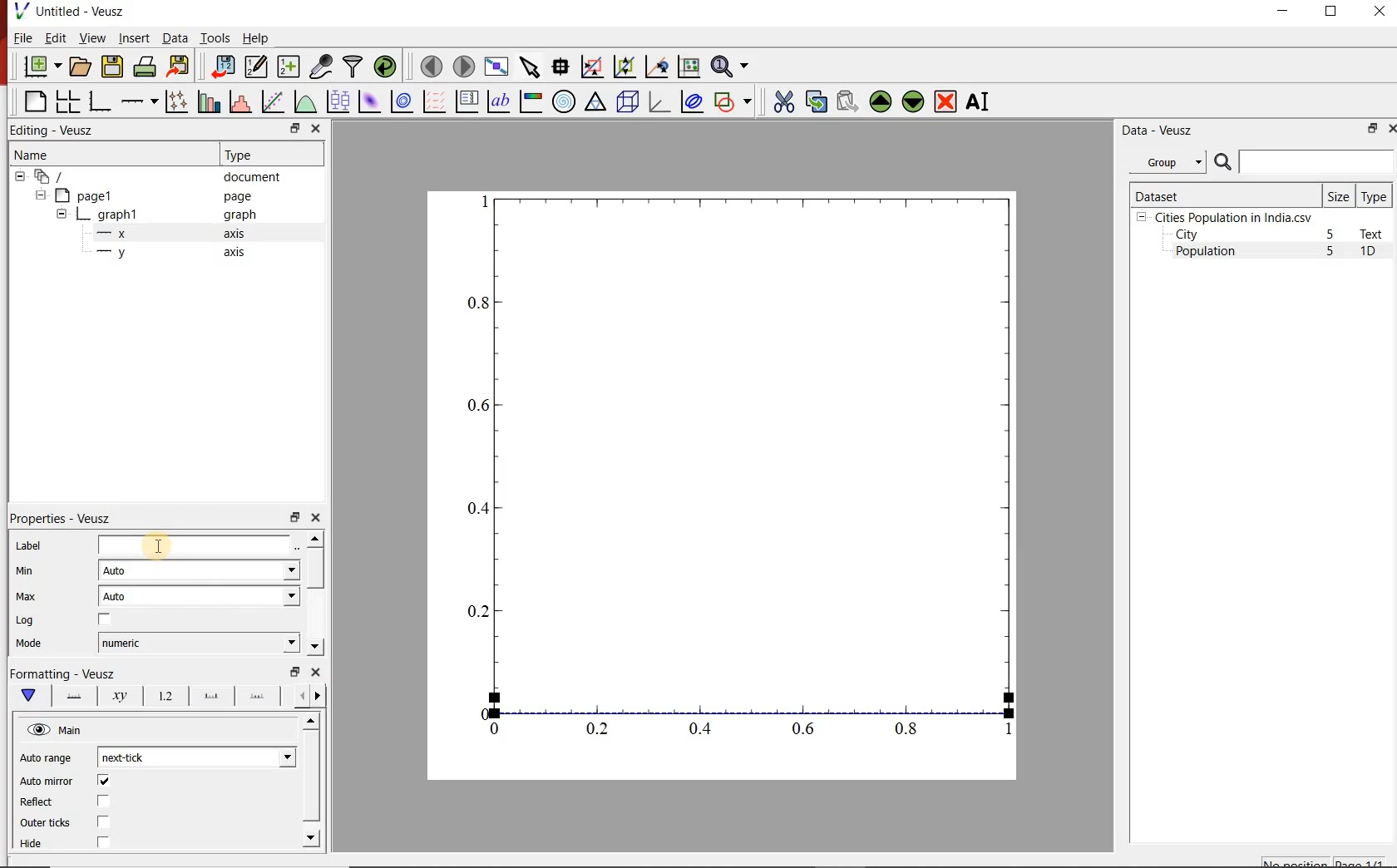 Image resolution: width=1397 pixels, height=868 pixels. Describe the element at coordinates (1339, 195) in the screenshot. I see `Size` at that location.